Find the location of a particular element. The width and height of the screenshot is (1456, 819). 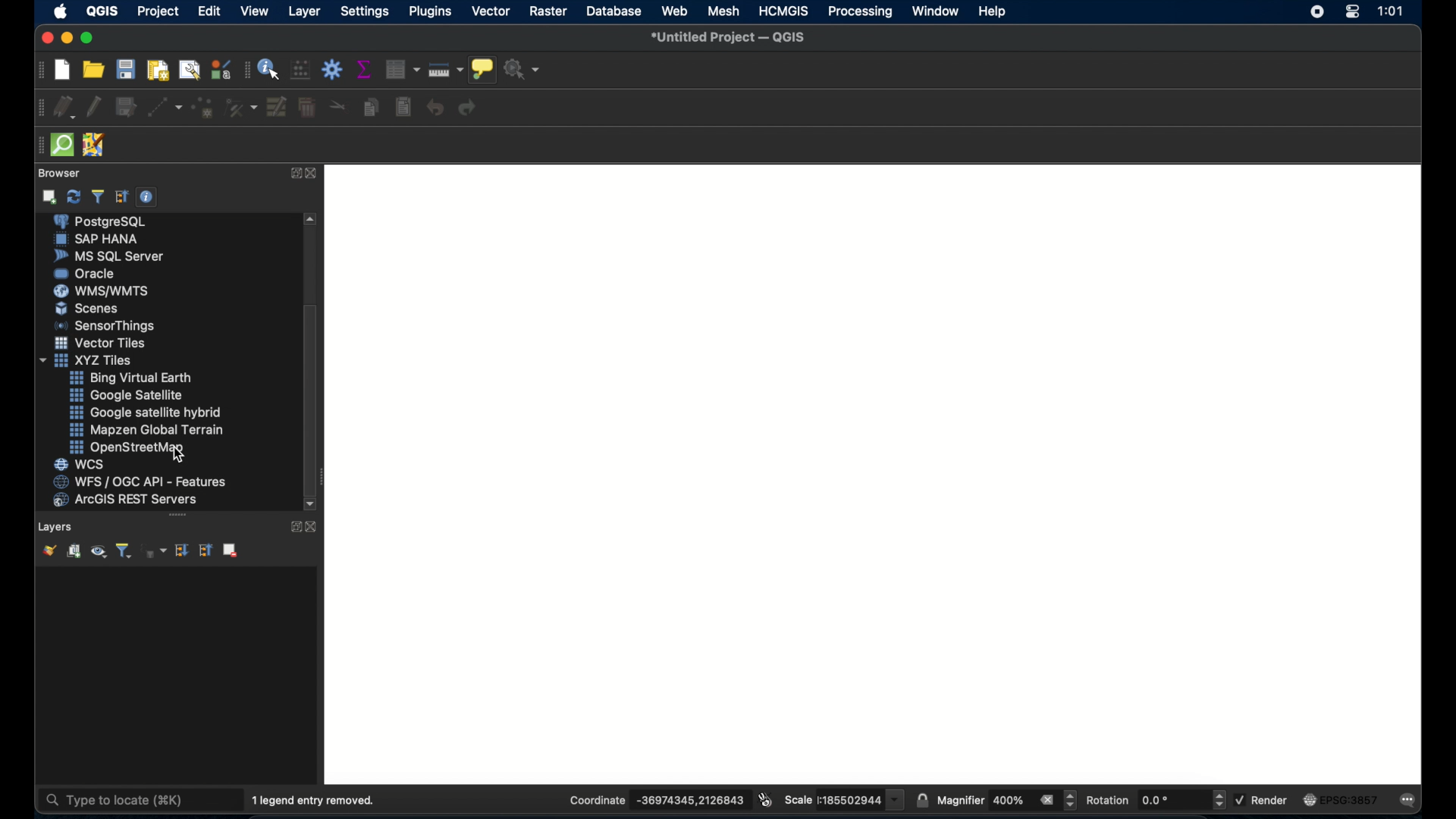

type to locate is located at coordinates (123, 801).